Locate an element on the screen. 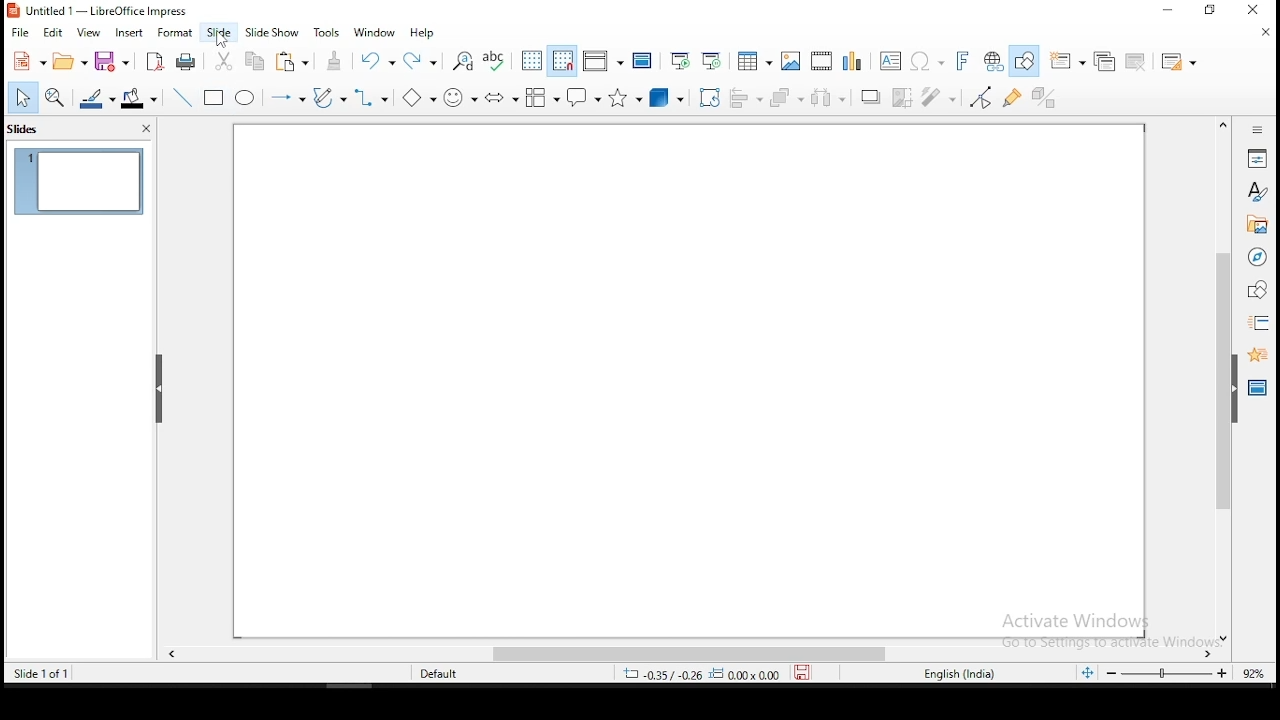 This screenshot has height=720, width=1280. filter is located at coordinates (939, 97).